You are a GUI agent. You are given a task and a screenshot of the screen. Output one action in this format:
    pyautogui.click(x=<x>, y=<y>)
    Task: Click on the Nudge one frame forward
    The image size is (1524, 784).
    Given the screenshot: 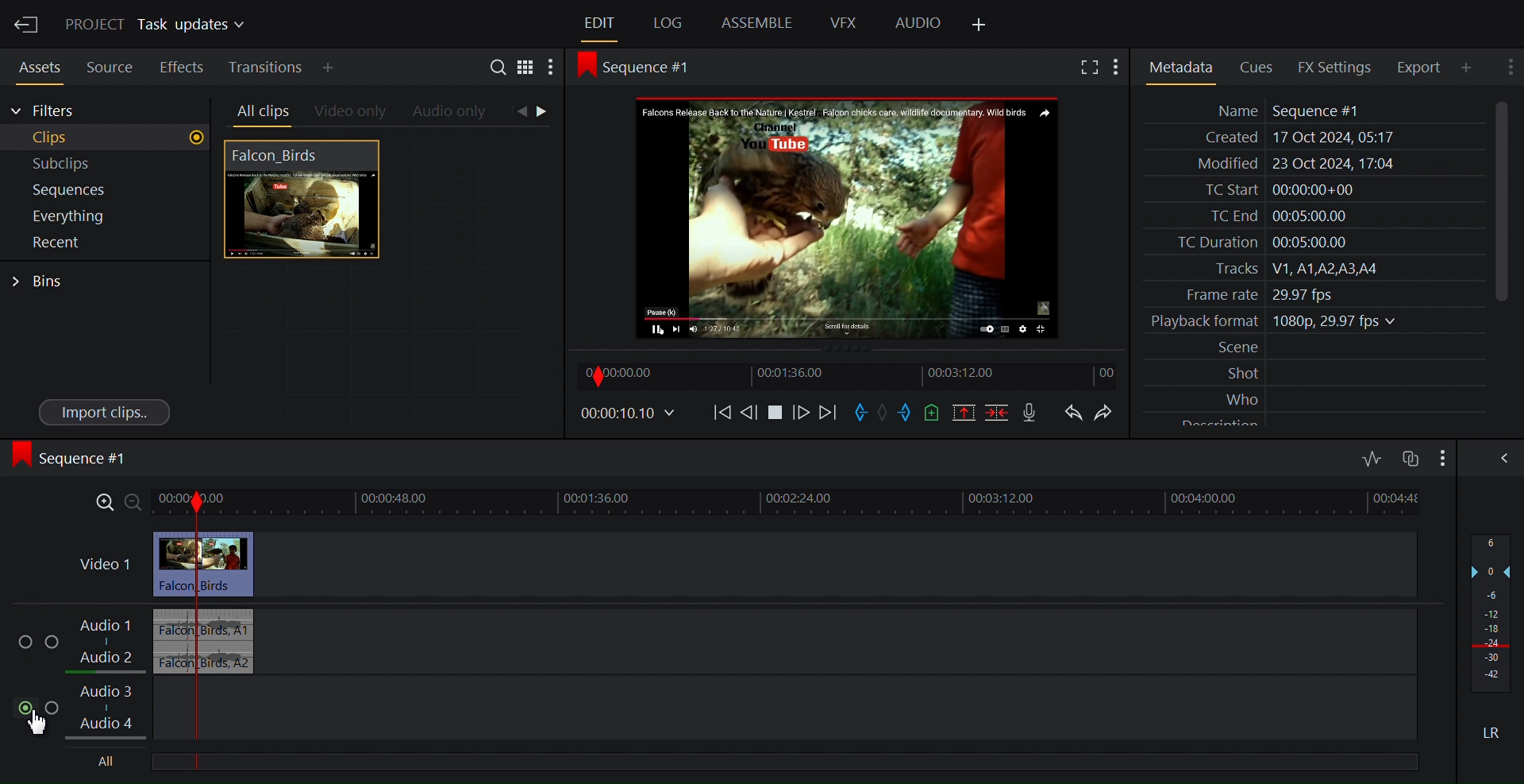 What is the action you would take?
    pyautogui.click(x=752, y=416)
    